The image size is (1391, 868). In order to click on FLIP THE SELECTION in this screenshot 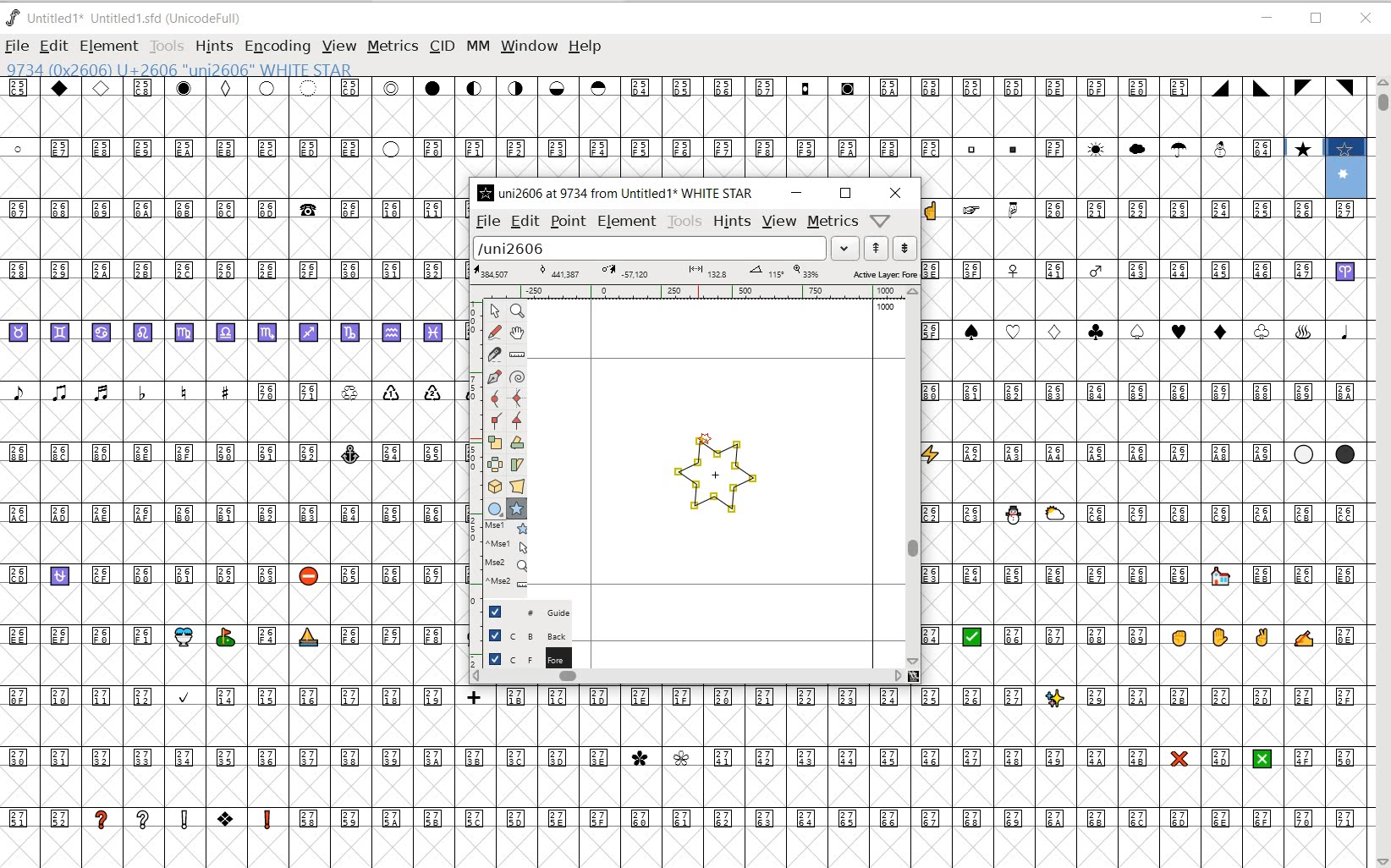, I will do `click(496, 465)`.